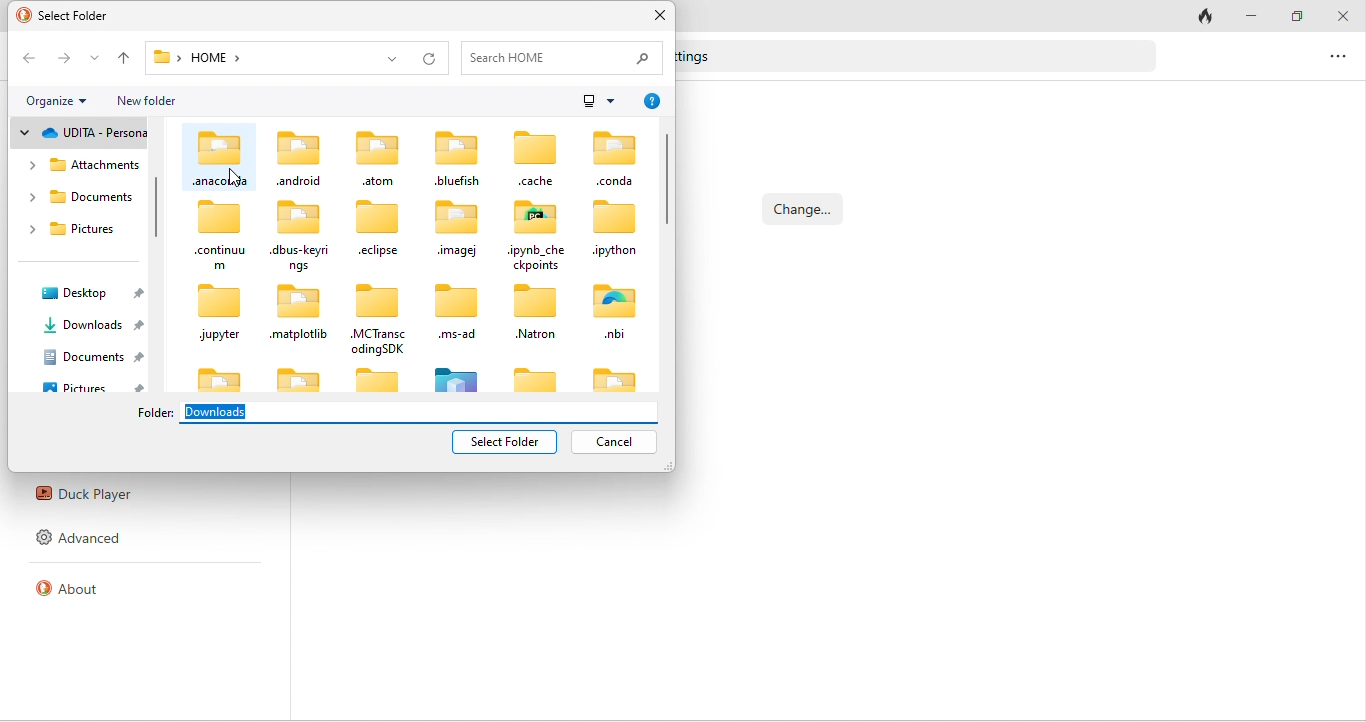 The width and height of the screenshot is (1366, 722). Describe the element at coordinates (702, 57) in the screenshot. I see `text` at that location.